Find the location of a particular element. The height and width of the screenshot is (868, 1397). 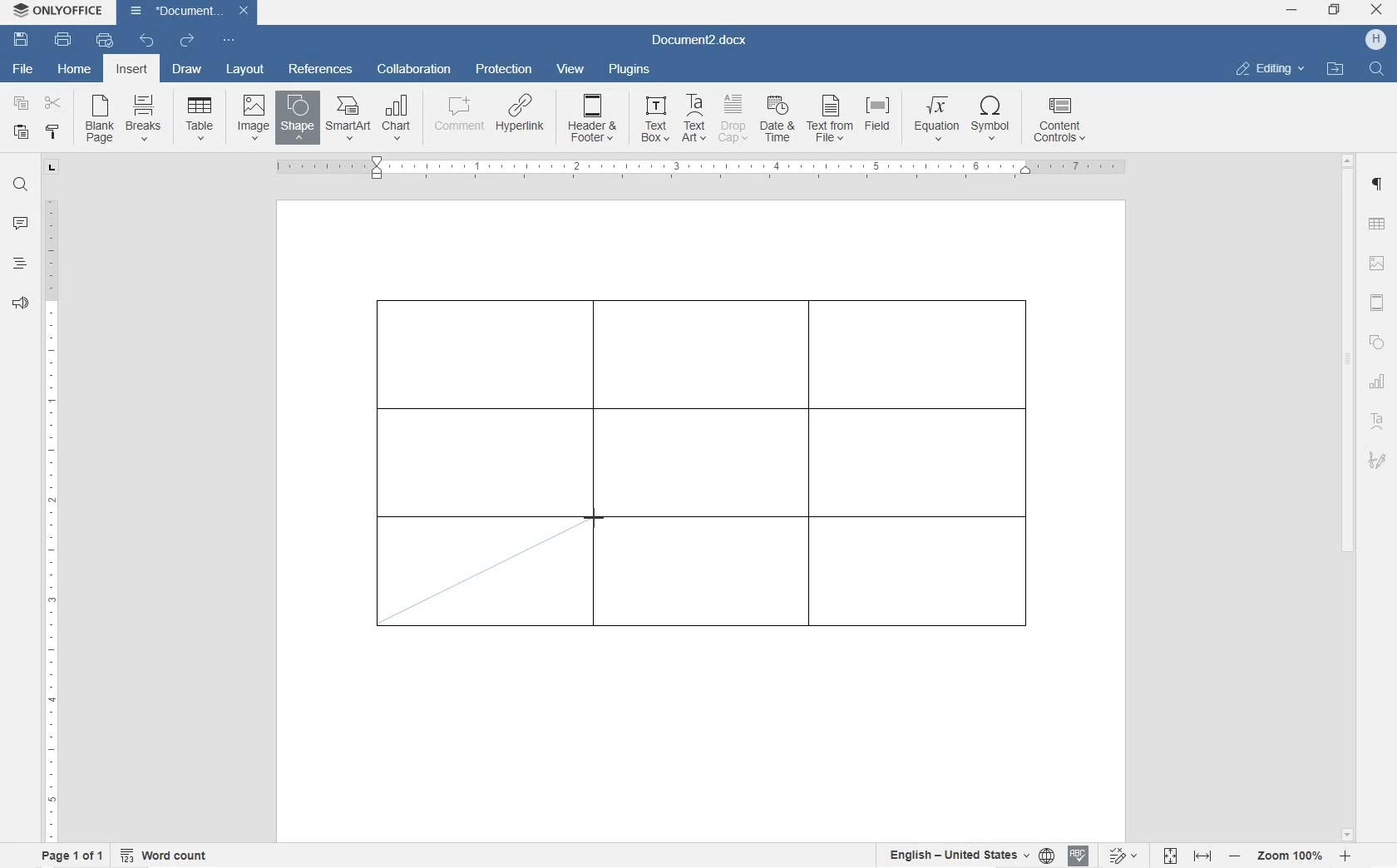

plugins is located at coordinates (630, 72).